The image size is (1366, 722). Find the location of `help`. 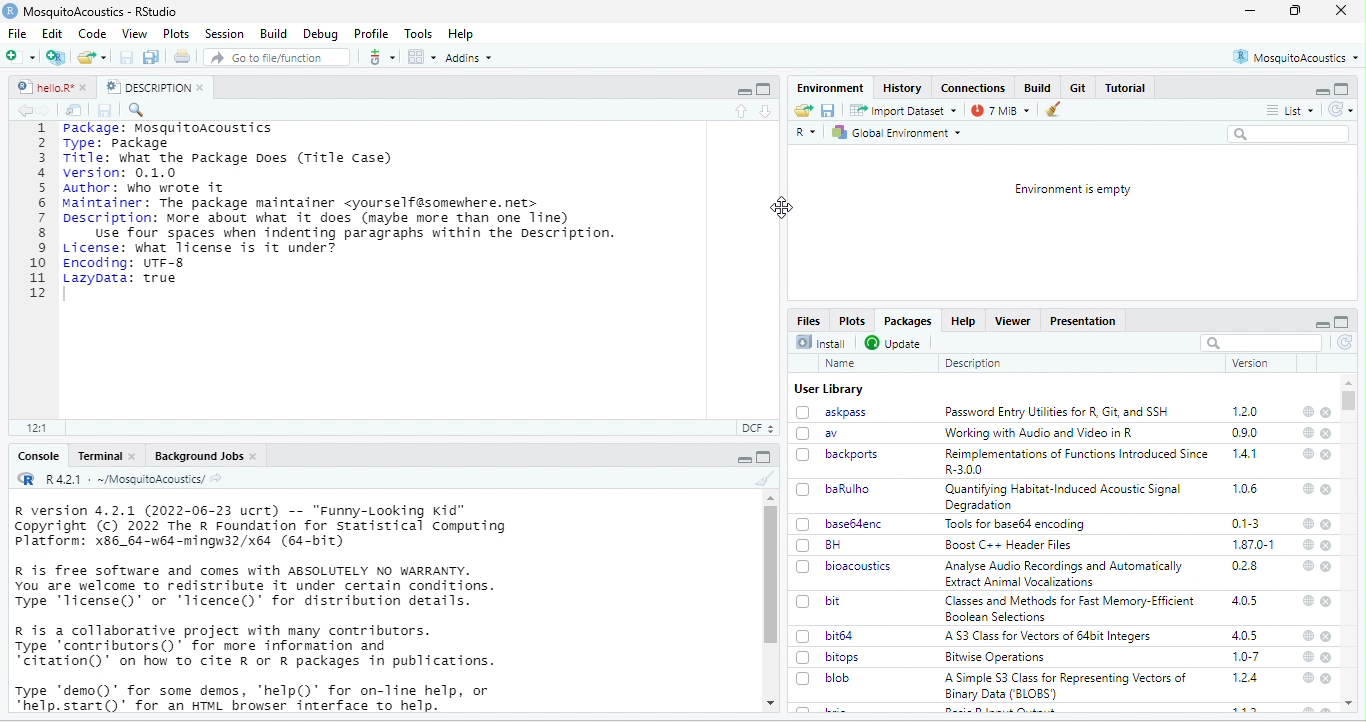

help is located at coordinates (1307, 489).